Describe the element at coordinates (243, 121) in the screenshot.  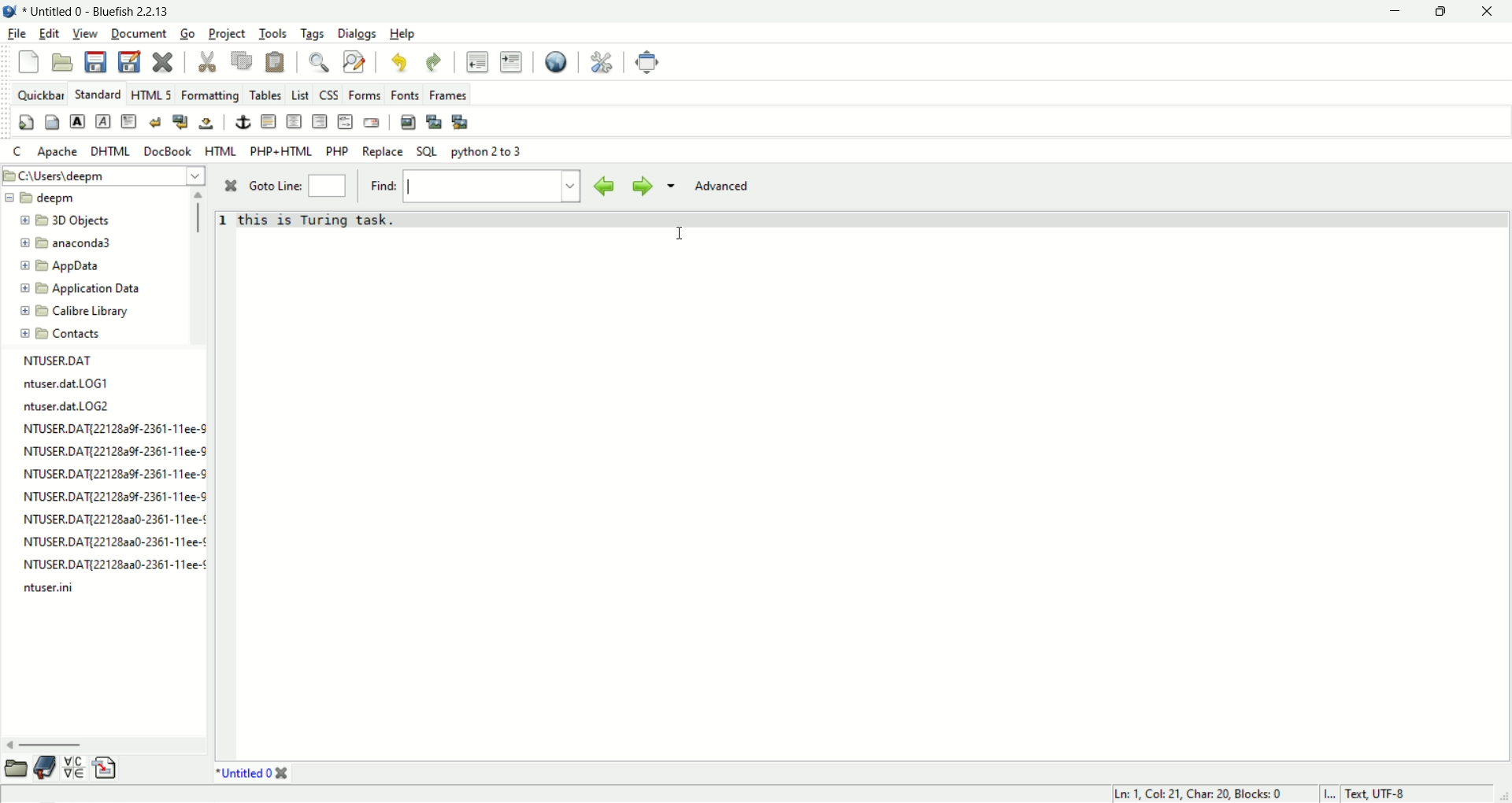
I see `anchor` at that location.